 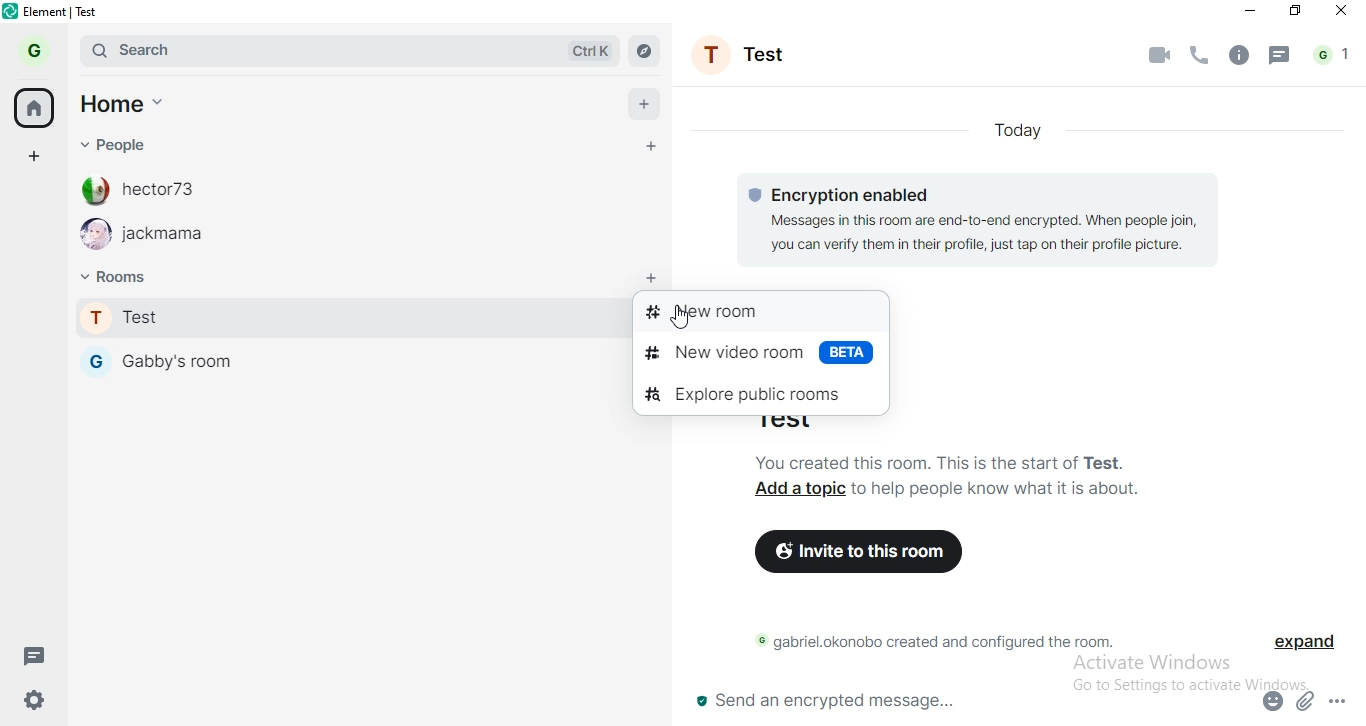 What do you see at coordinates (345, 359) in the screenshot?
I see `gabby's room` at bounding box center [345, 359].